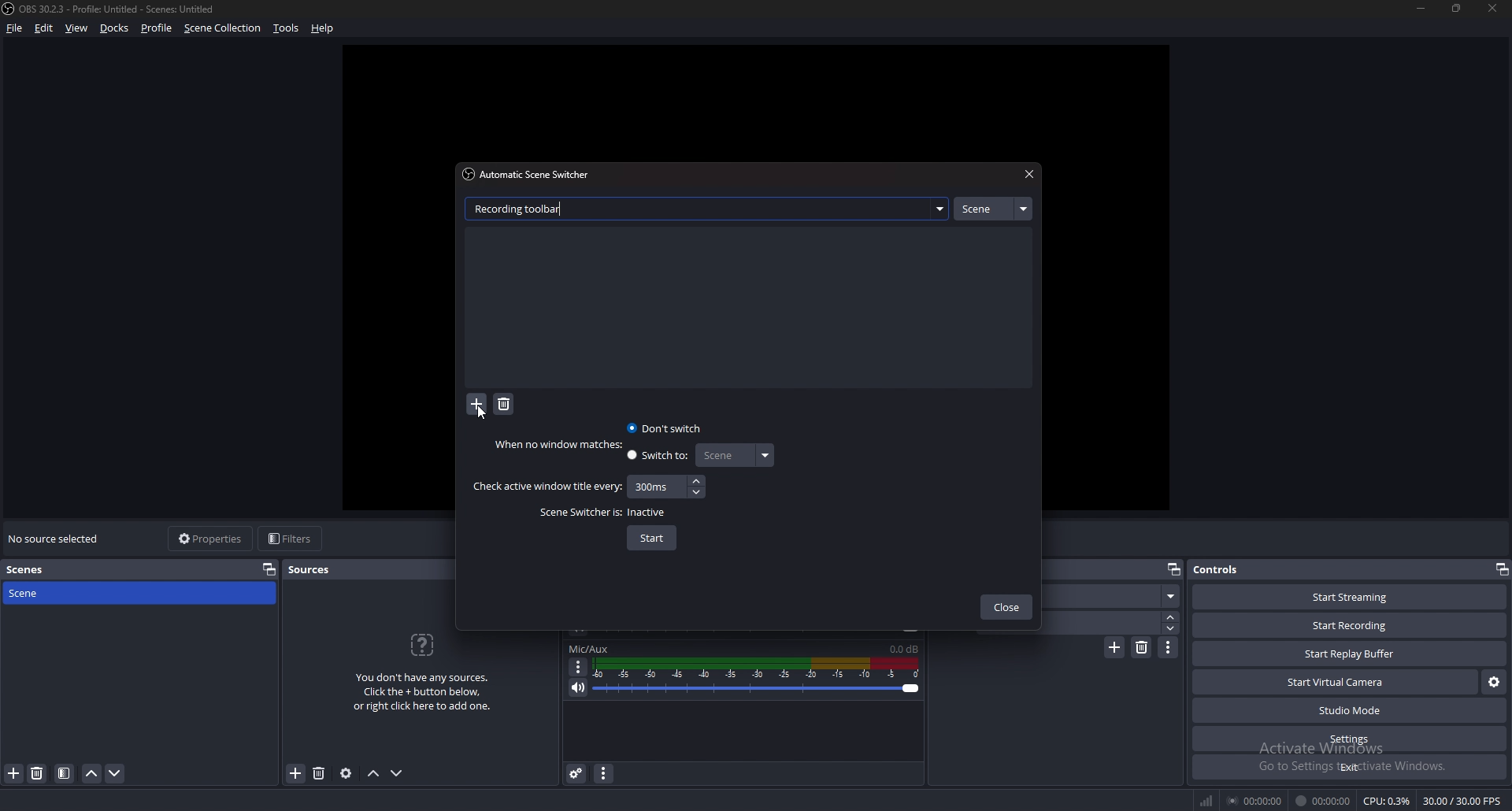  I want to click on audio mixer menu, so click(603, 772).